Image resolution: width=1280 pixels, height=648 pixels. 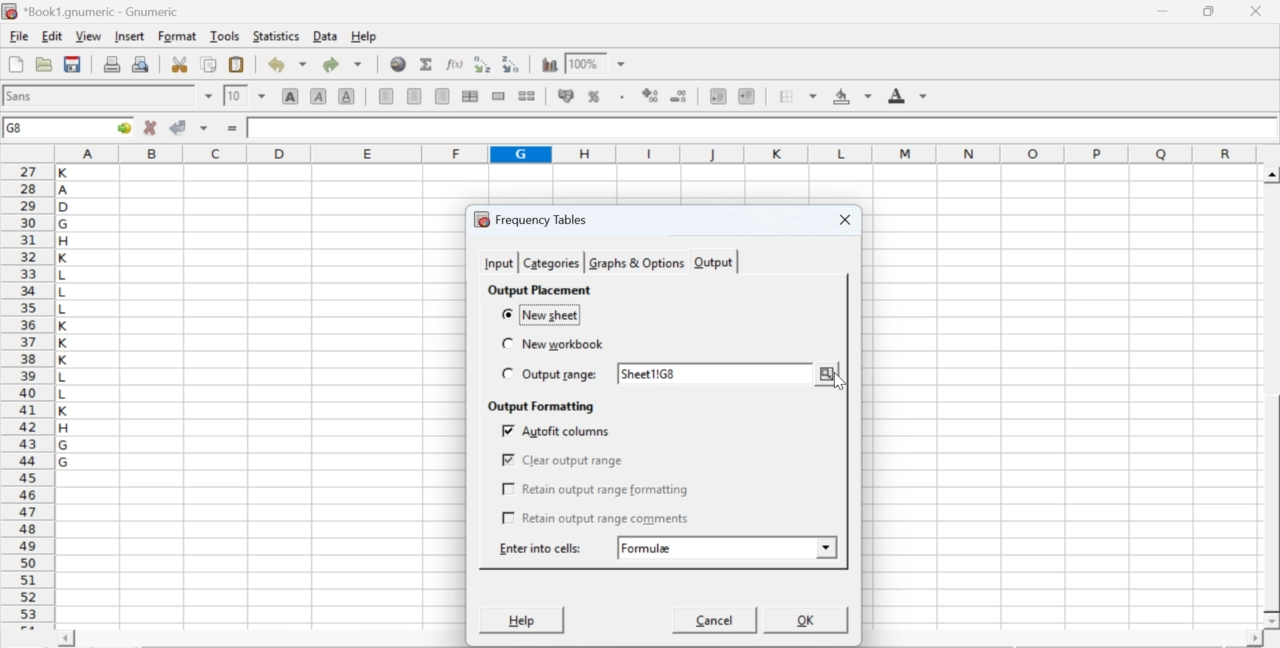 What do you see at coordinates (622, 65) in the screenshot?
I see `drop down` at bounding box center [622, 65].